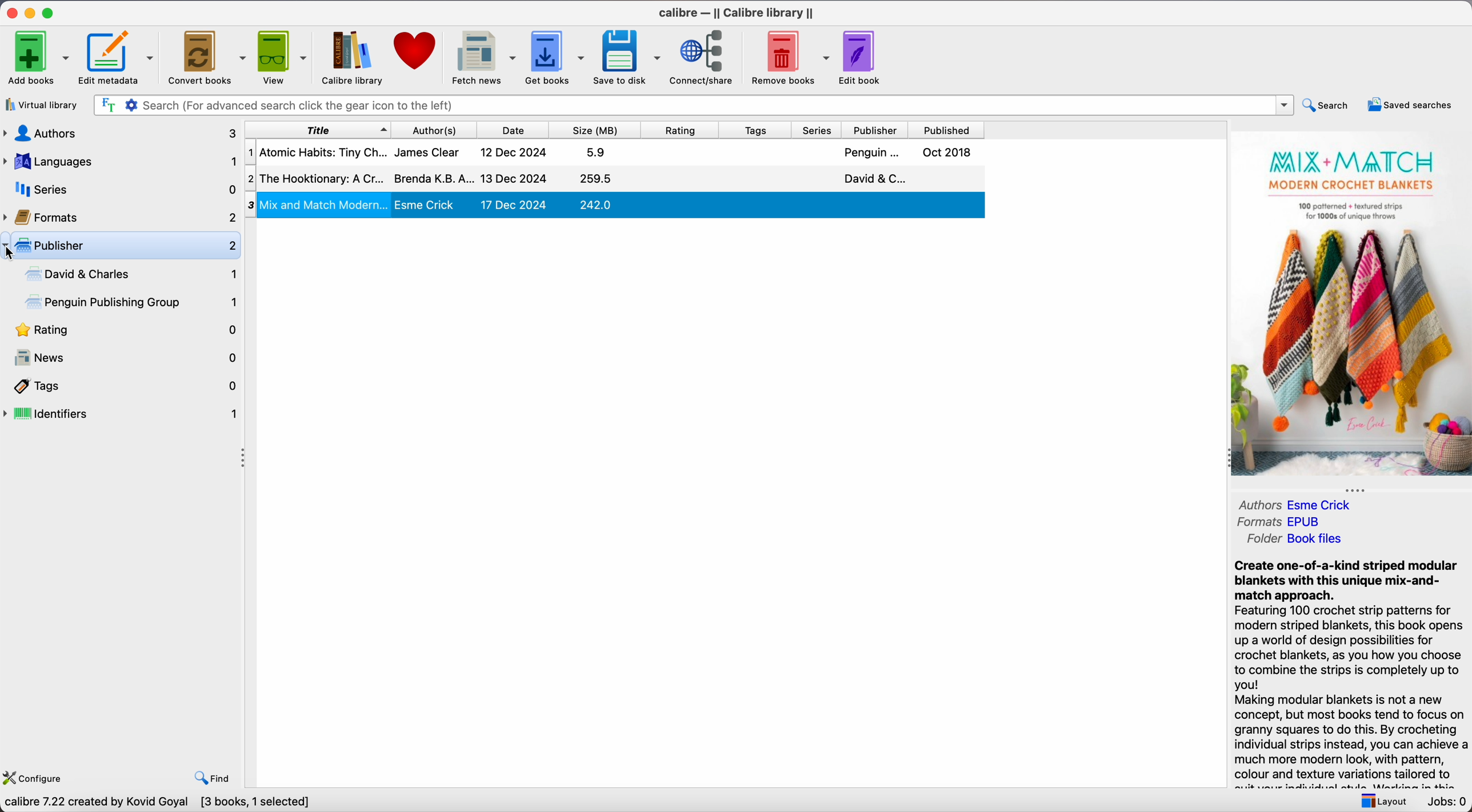  I want to click on edit metadata, so click(119, 58).